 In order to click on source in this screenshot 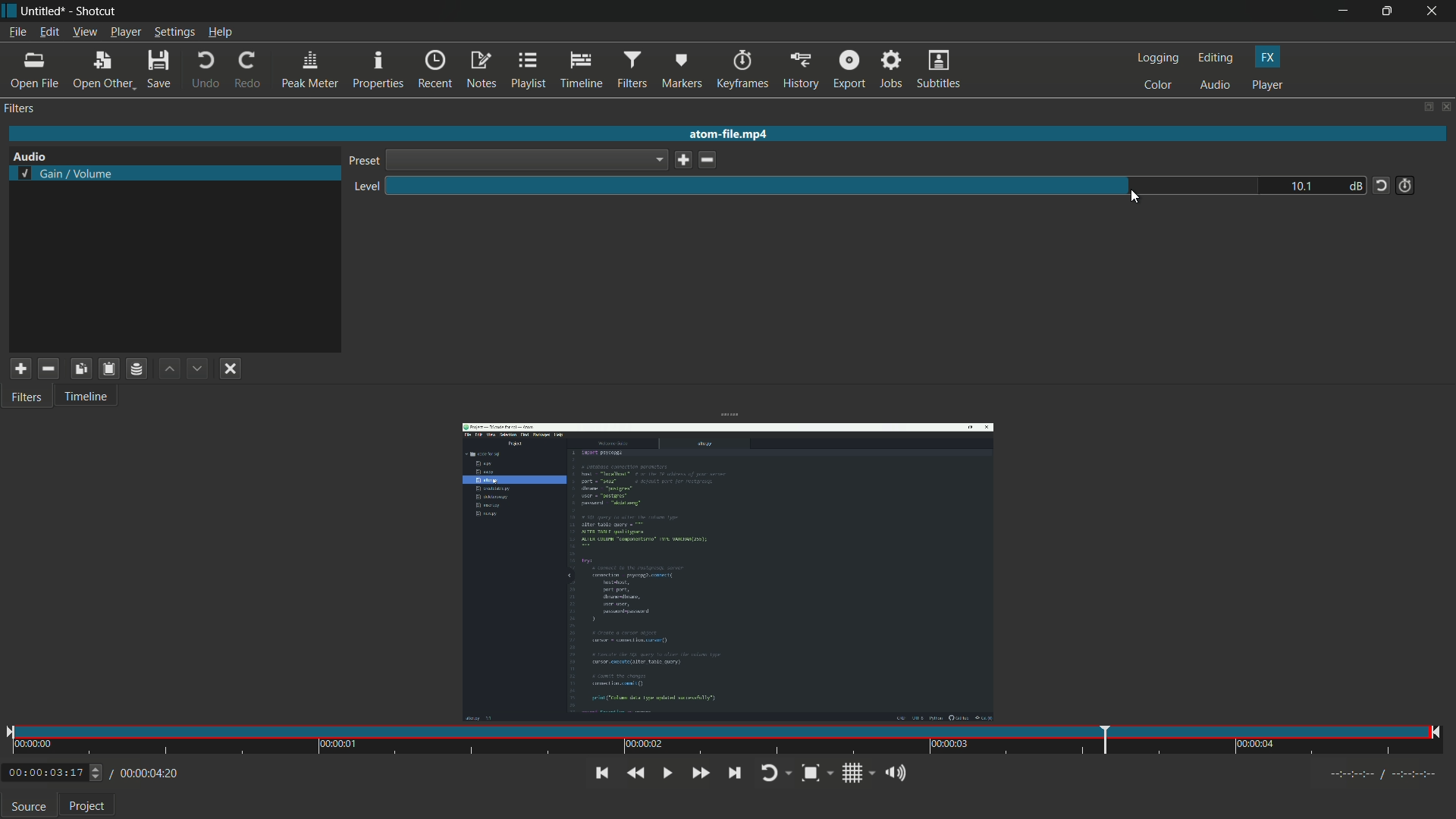, I will do `click(29, 806)`.